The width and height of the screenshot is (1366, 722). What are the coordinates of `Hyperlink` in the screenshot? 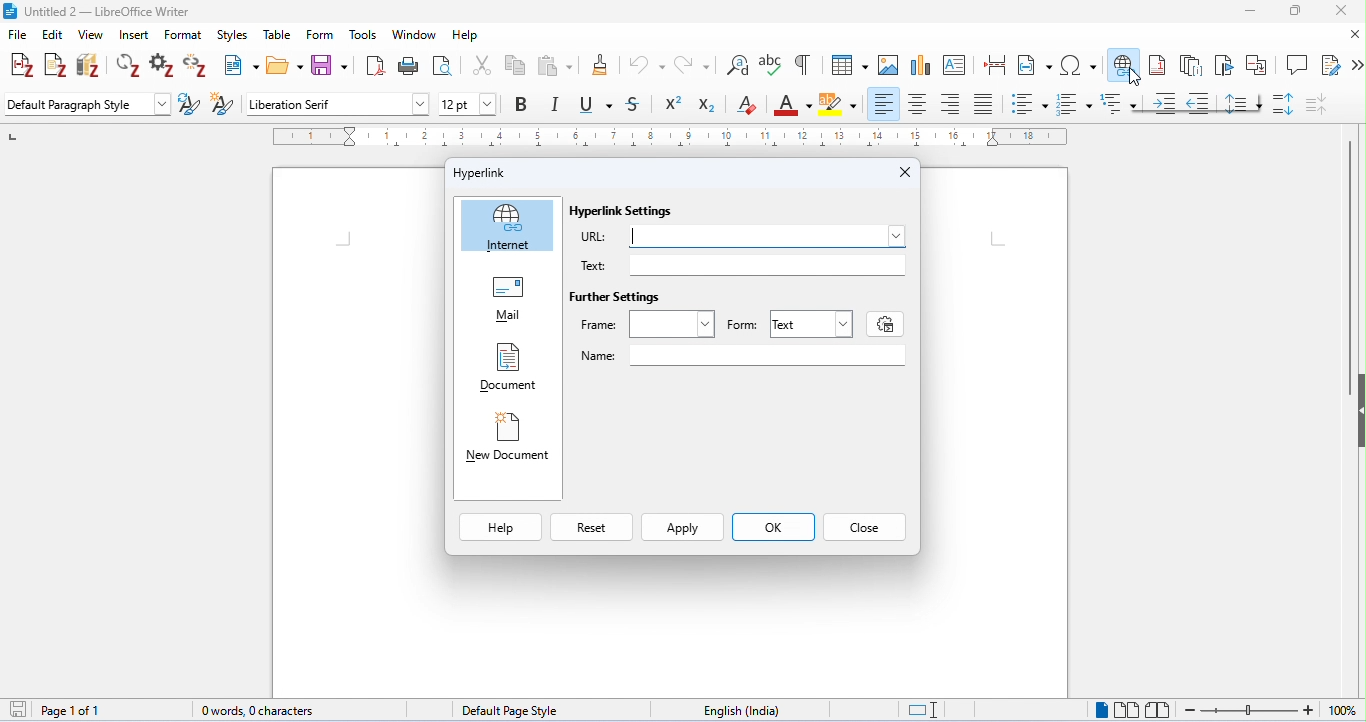 It's located at (483, 171).